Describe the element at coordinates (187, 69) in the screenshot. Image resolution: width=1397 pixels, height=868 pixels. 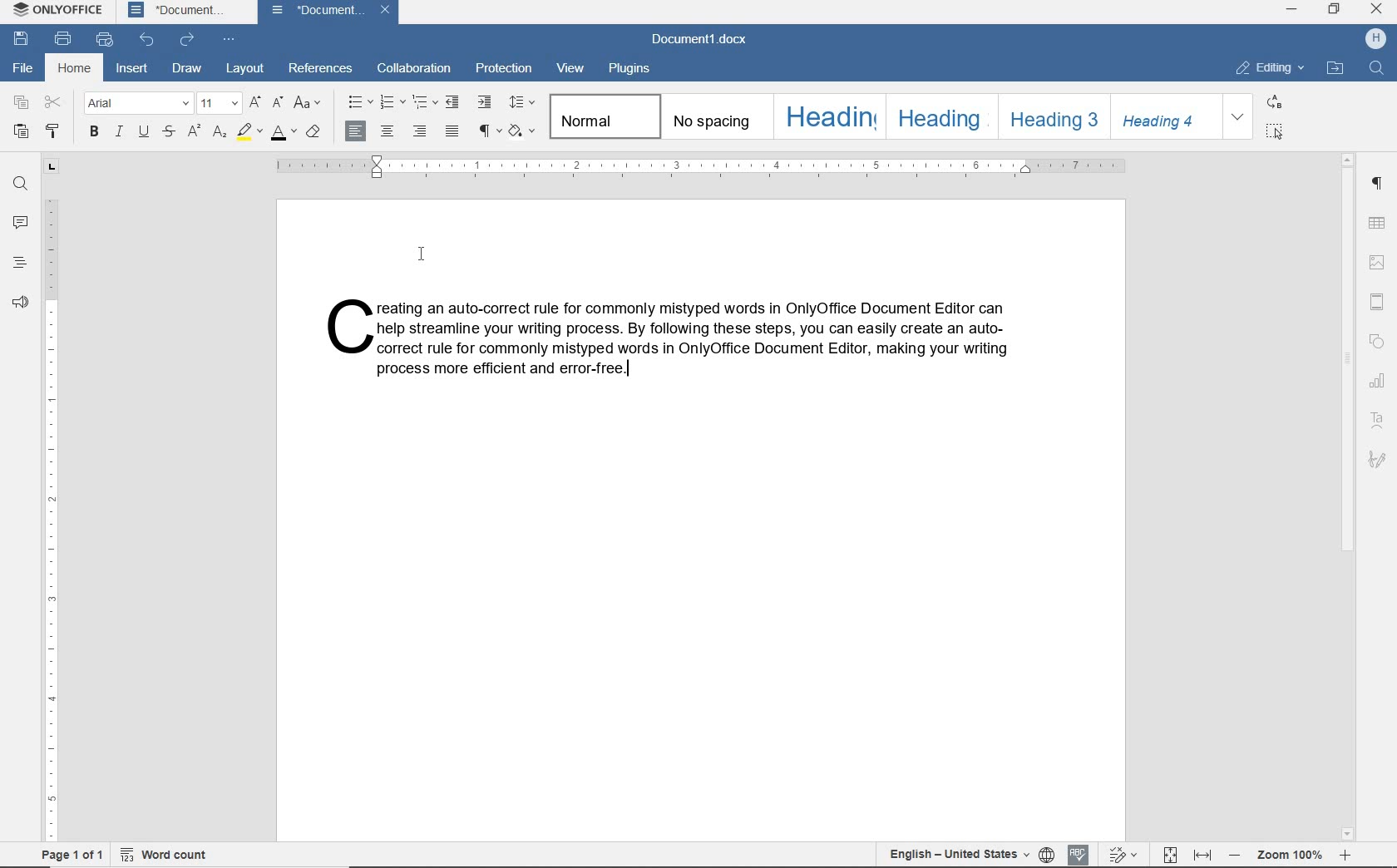
I see `DRAW` at that location.